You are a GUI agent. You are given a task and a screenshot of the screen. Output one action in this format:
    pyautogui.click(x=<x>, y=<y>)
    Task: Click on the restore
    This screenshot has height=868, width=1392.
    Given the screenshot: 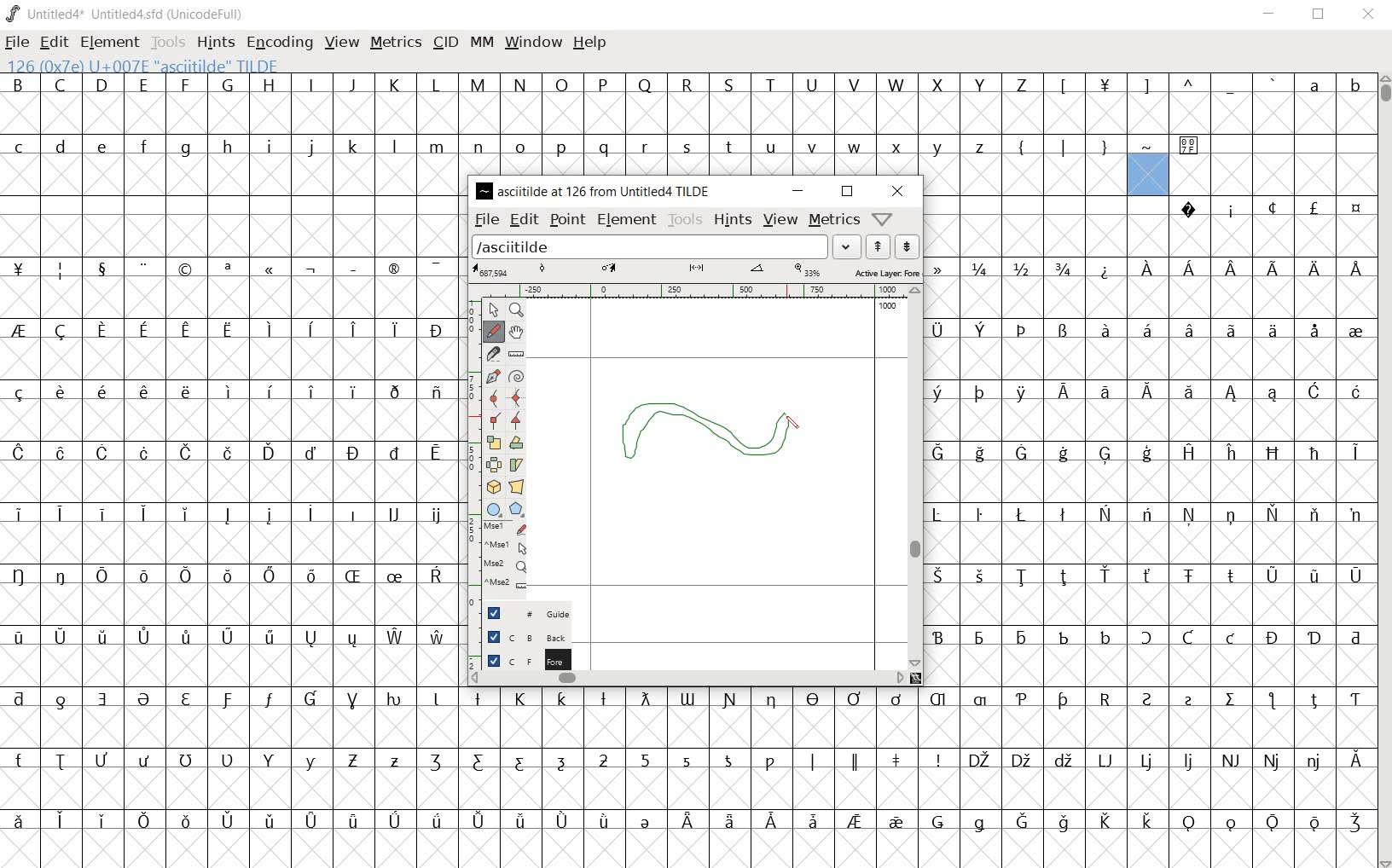 What is the action you would take?
    pyautogui.click(x=848, y=192)
    